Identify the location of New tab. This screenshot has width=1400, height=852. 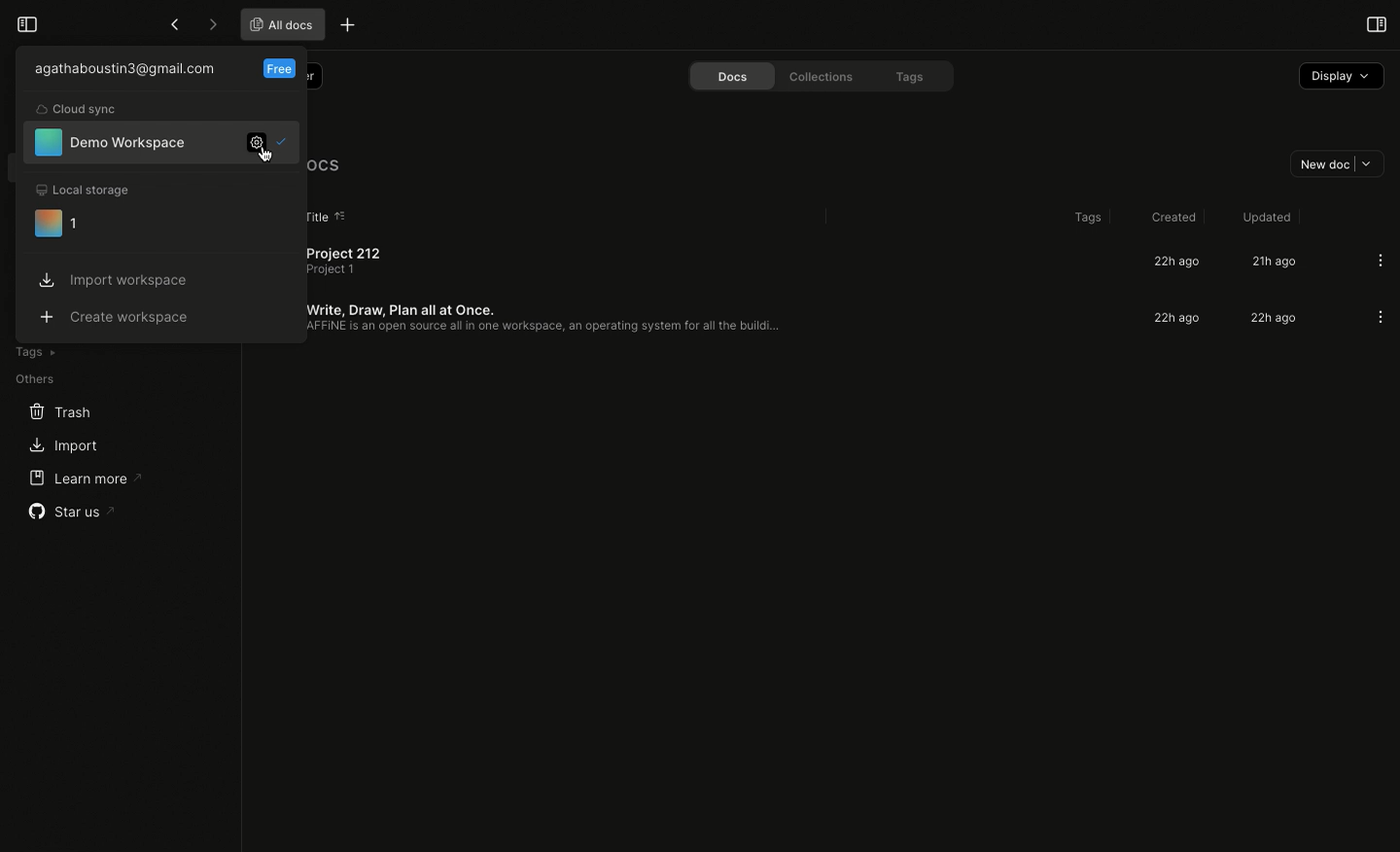
(348, 23).